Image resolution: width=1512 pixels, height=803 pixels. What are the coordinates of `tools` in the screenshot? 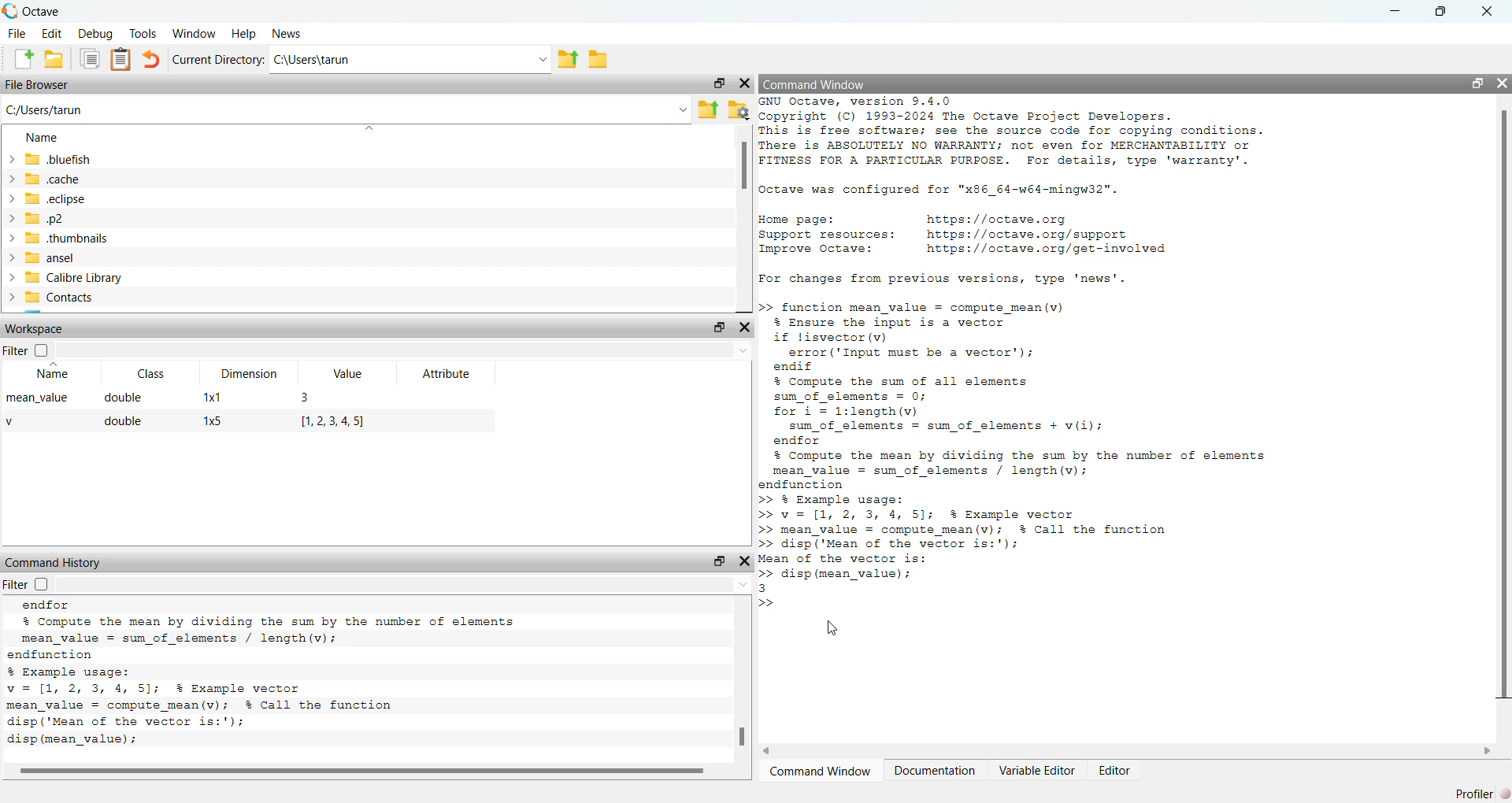 It's located at (144, 32).